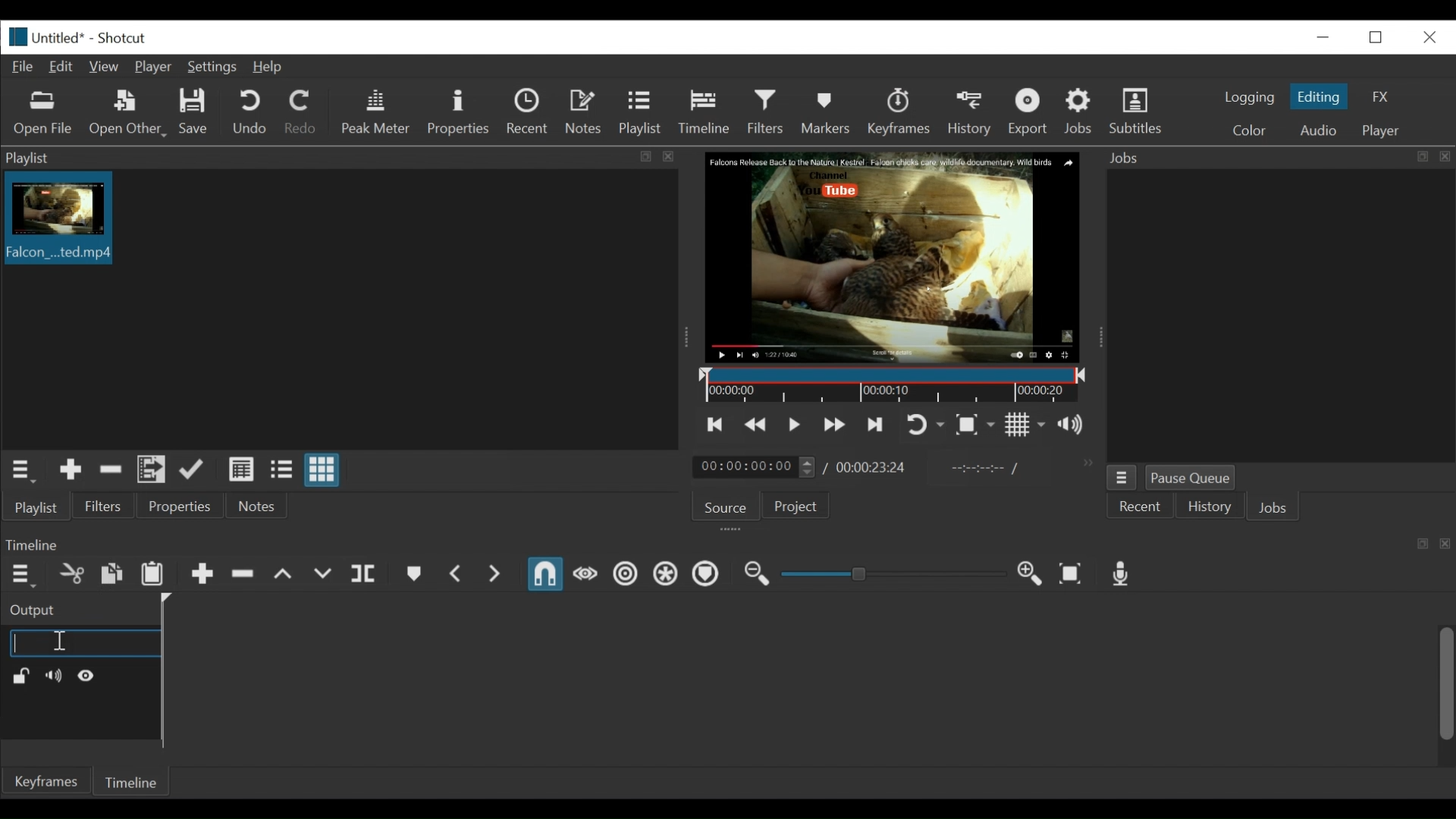 The width and height of the screenshot is (1456, 819). What do you see at coordinates (45, 36) in the screenshot?
I see `File name` at bounding box center [45, 36].